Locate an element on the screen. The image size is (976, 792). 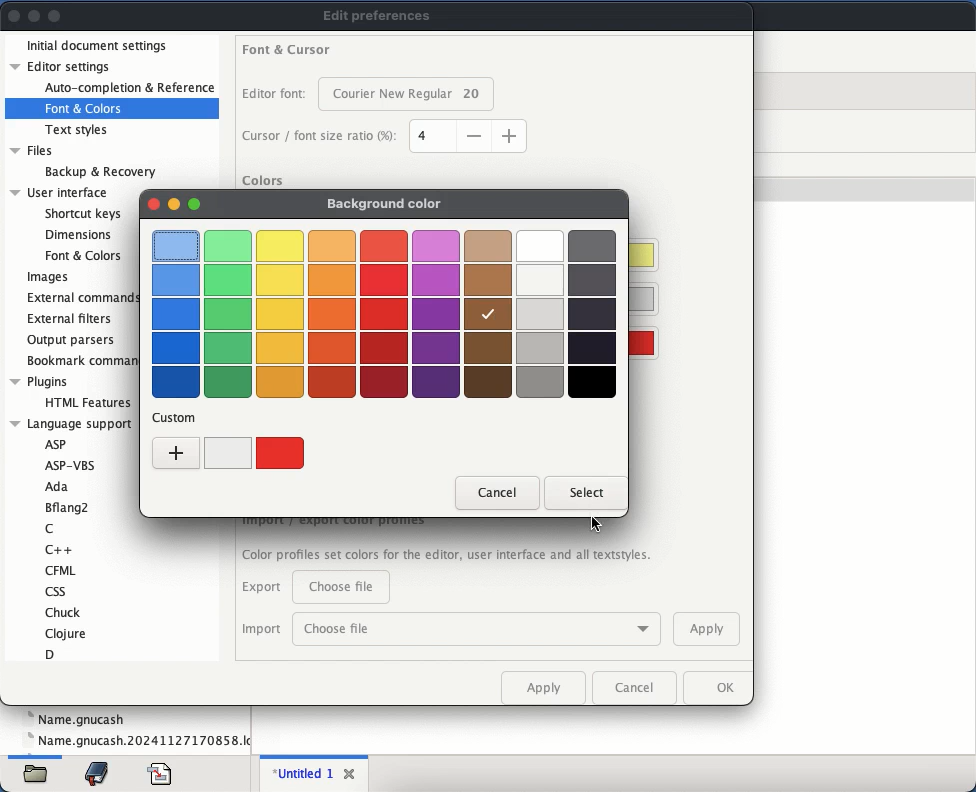
maximize is located at coordinates (55, 17).